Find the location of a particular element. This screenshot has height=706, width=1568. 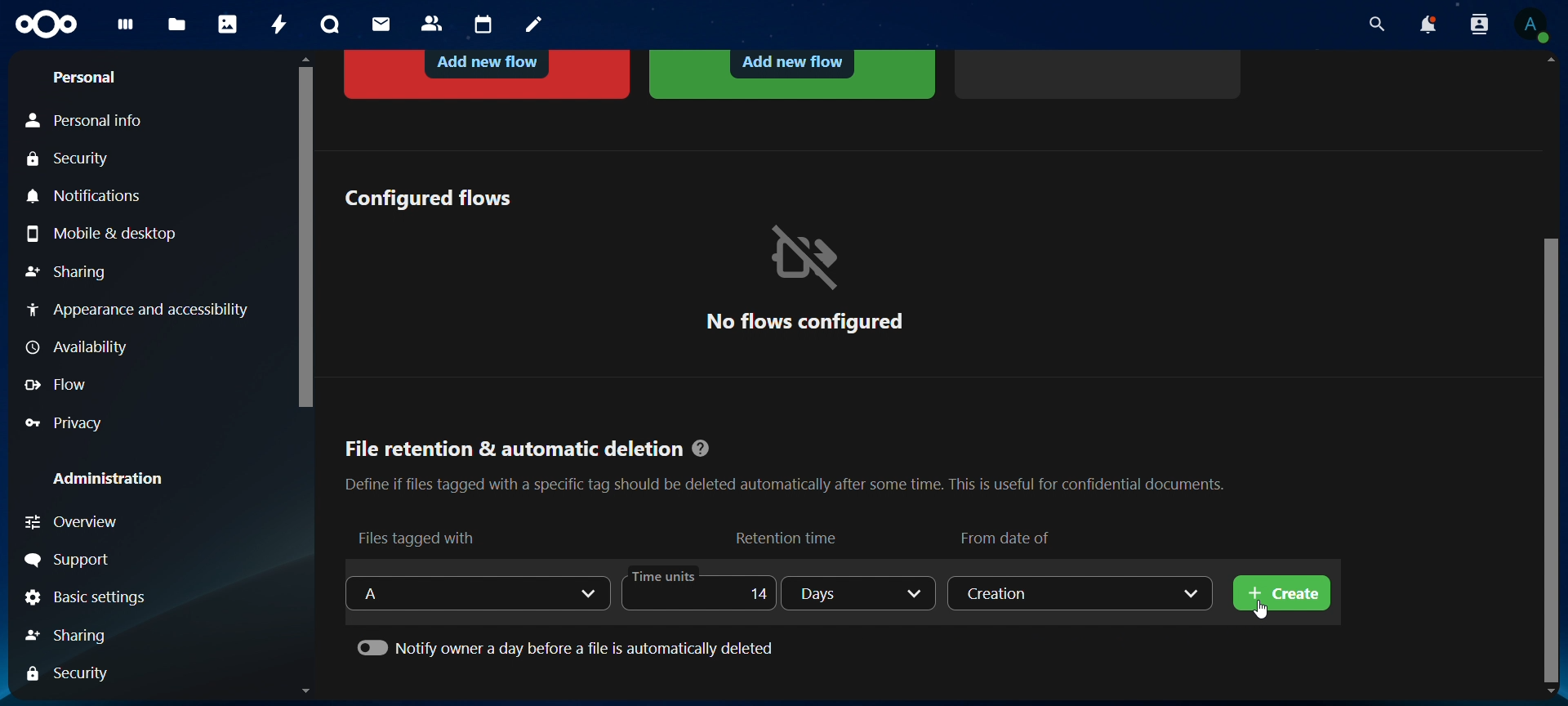

icon is located at coordinates (48, 25).